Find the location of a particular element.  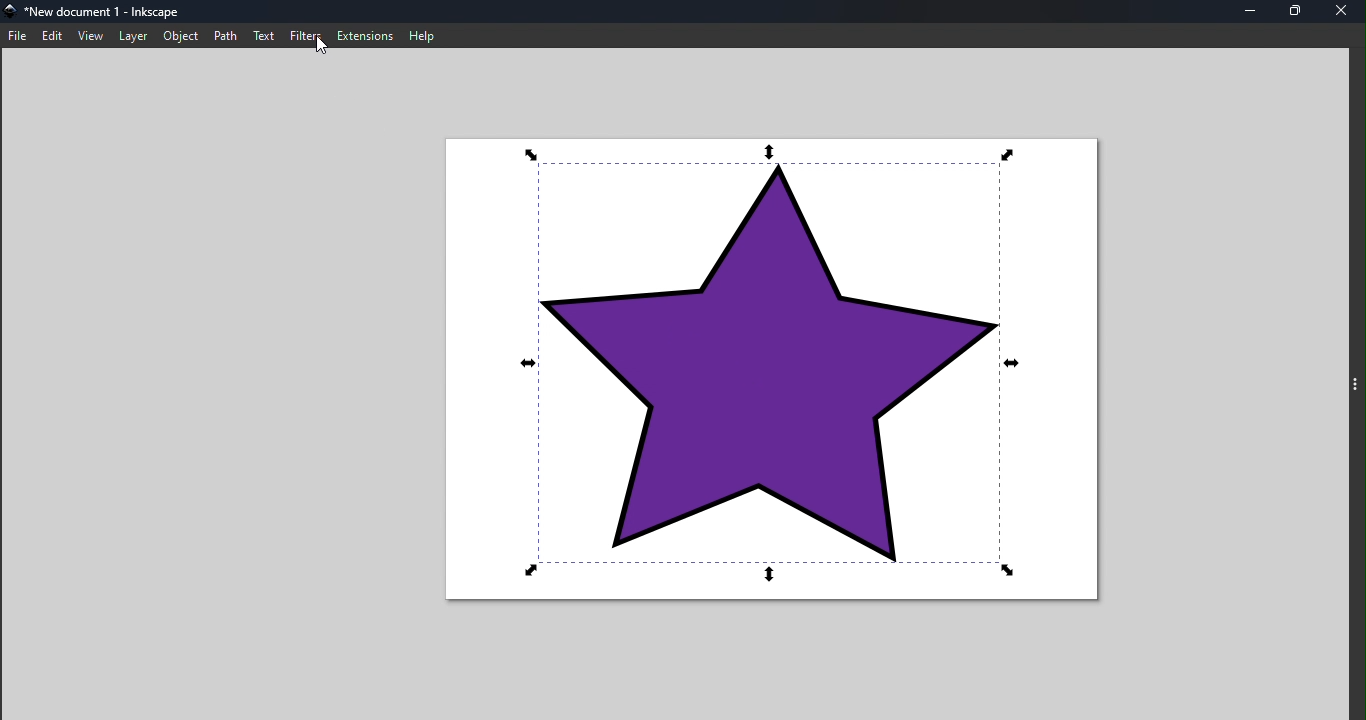

Close is located at coordinates (1343, 14).